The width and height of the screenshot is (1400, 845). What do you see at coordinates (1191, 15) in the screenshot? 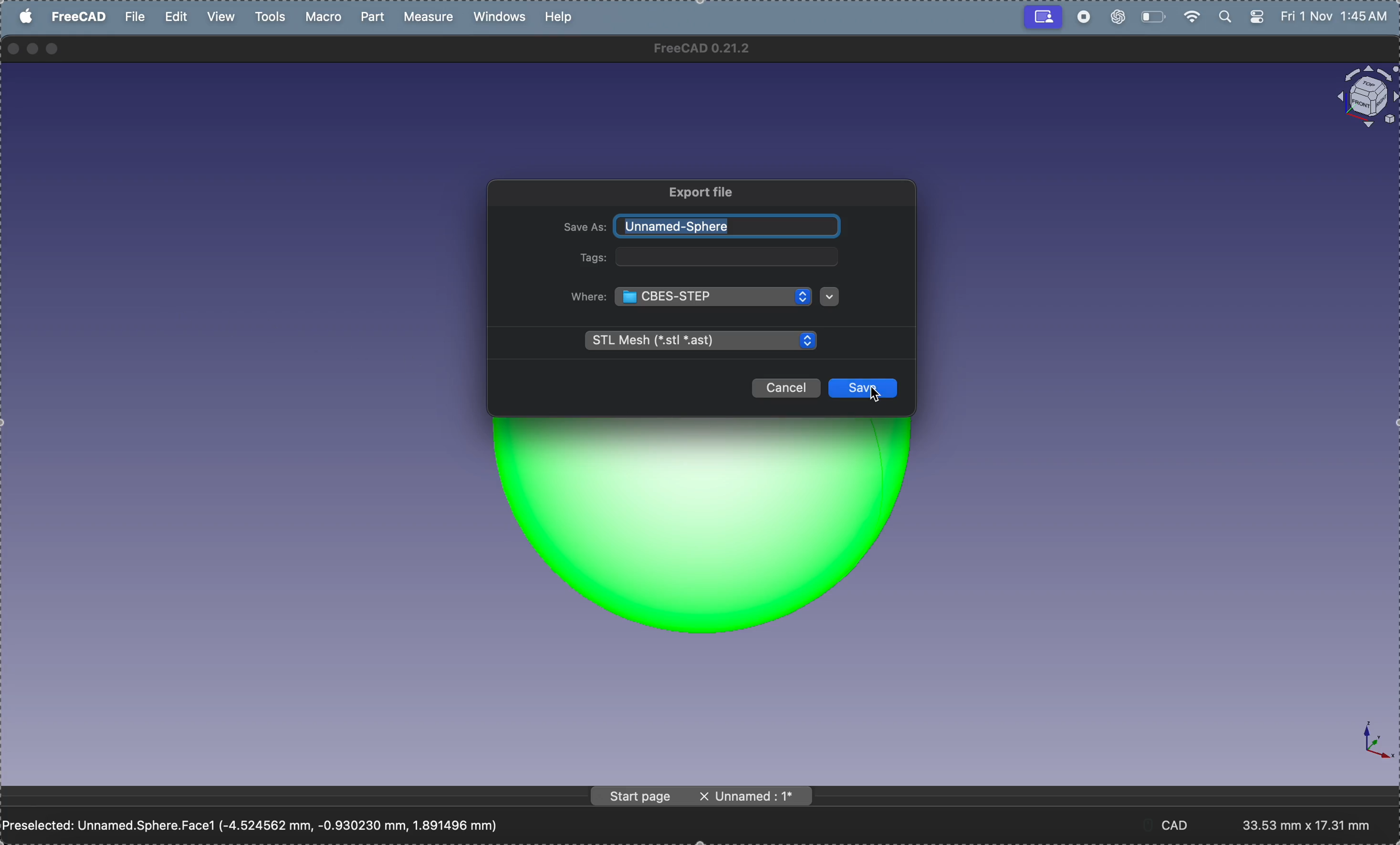
I see `wifi` at bounding box center [1191, 15].